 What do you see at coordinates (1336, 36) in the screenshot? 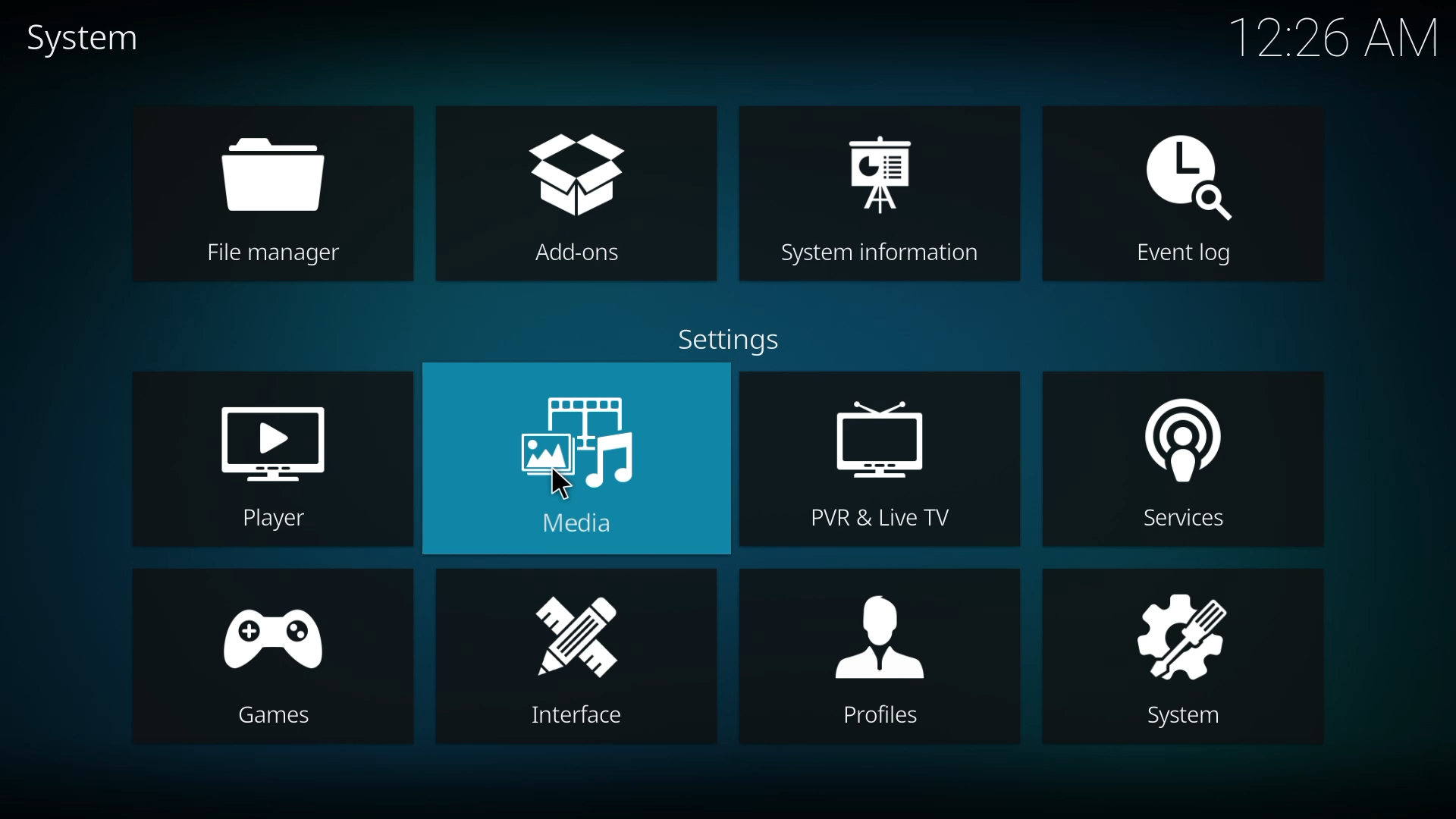
I see `time` at bounding box center [1336, 36].